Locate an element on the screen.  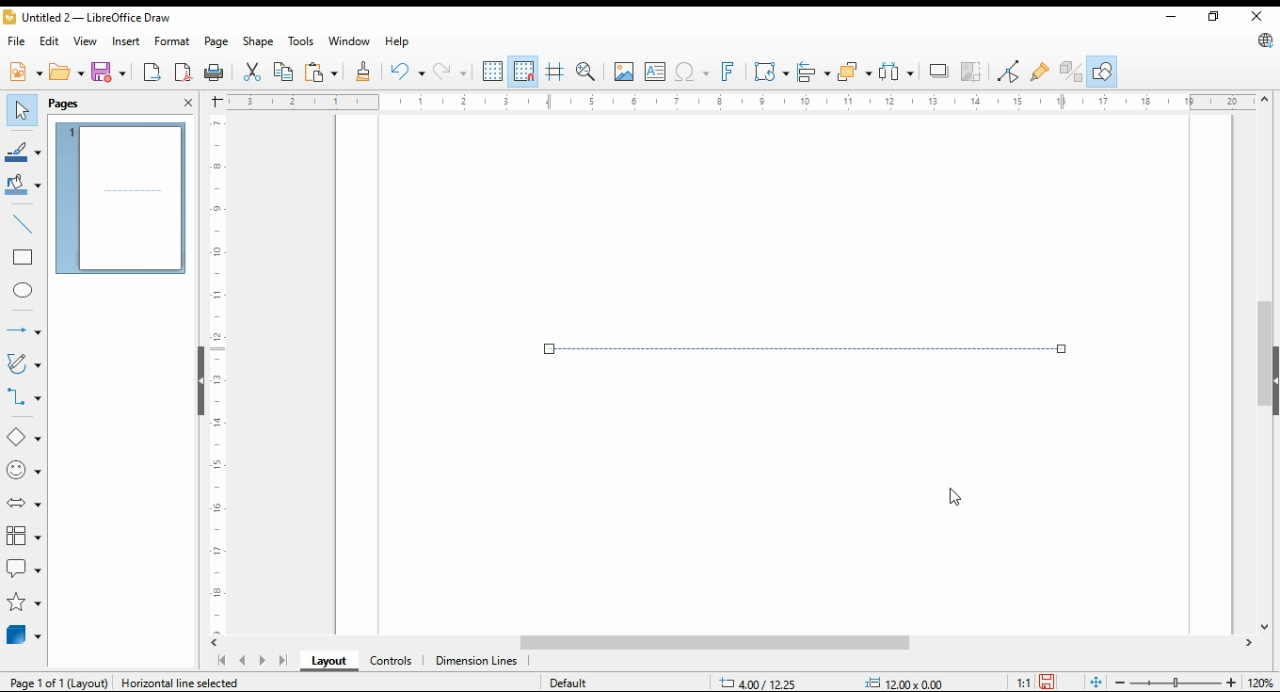
show gluepoint functions is located at coordinates (1038, 71).